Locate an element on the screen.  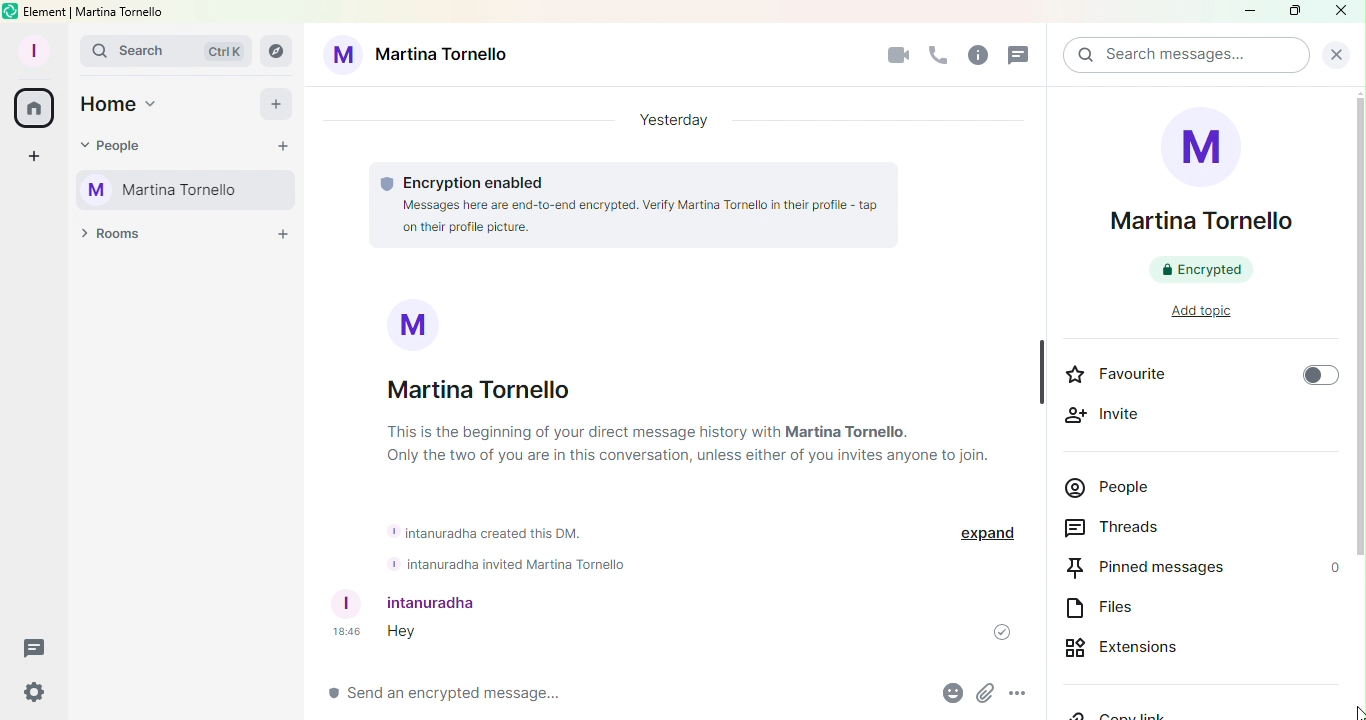
Add topic is located at coordinates (1203, 311).